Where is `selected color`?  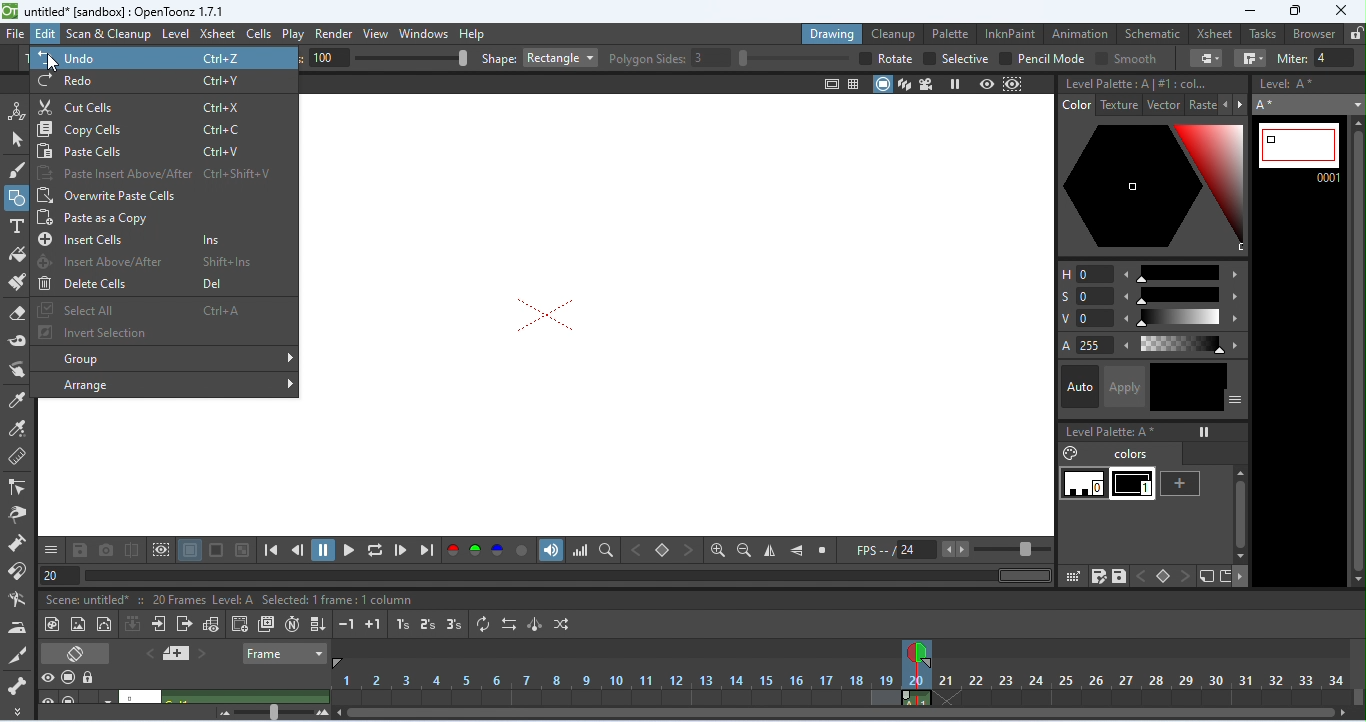
selected color is located at coordinates (1152, 188).